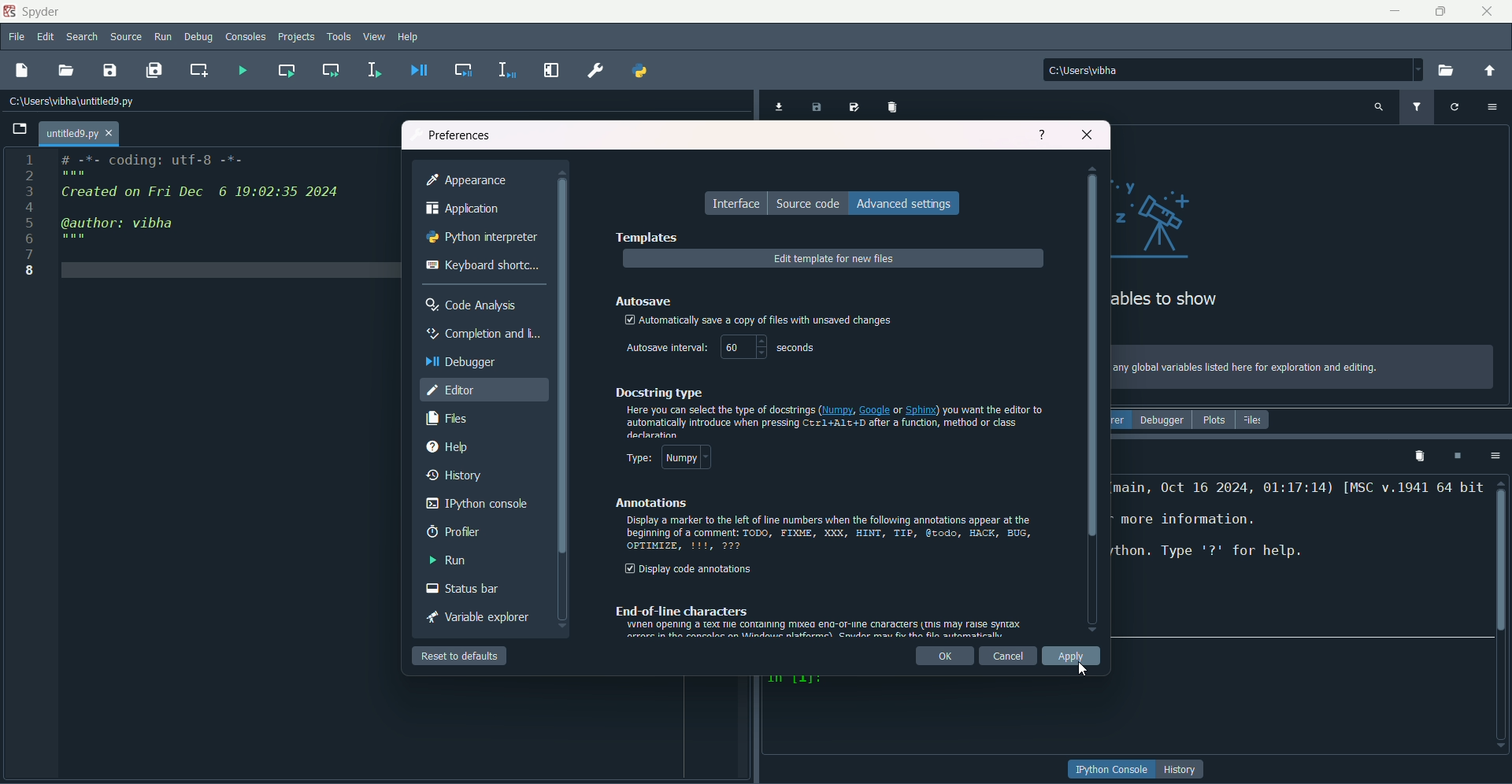 This screenshot has height=784, width=1512. Describe the element at coordinates (1162, 420) in the screenshot. I see `debugger` at that location.